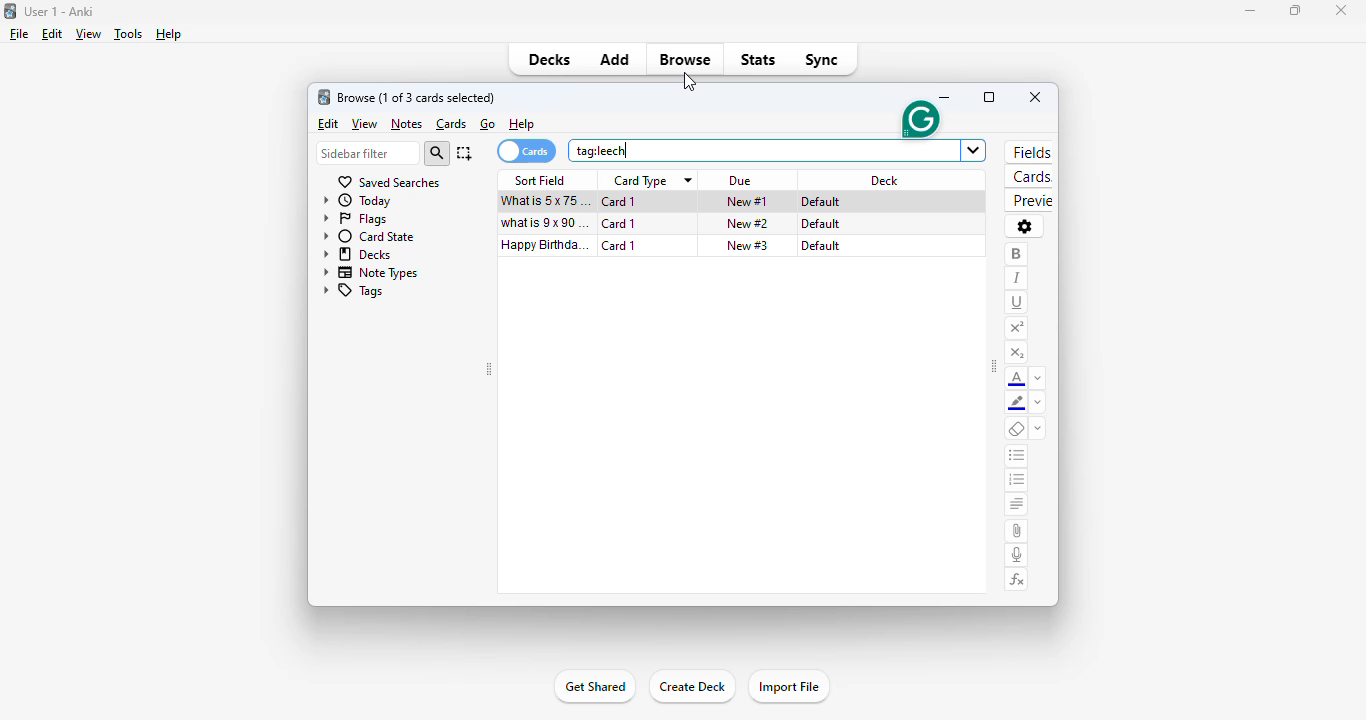 Image resolution: width=1366 pixels, height=720 pixels. Describe the element at coordinates (1016, 554) in the screenshot. I see `record audio` at that location.